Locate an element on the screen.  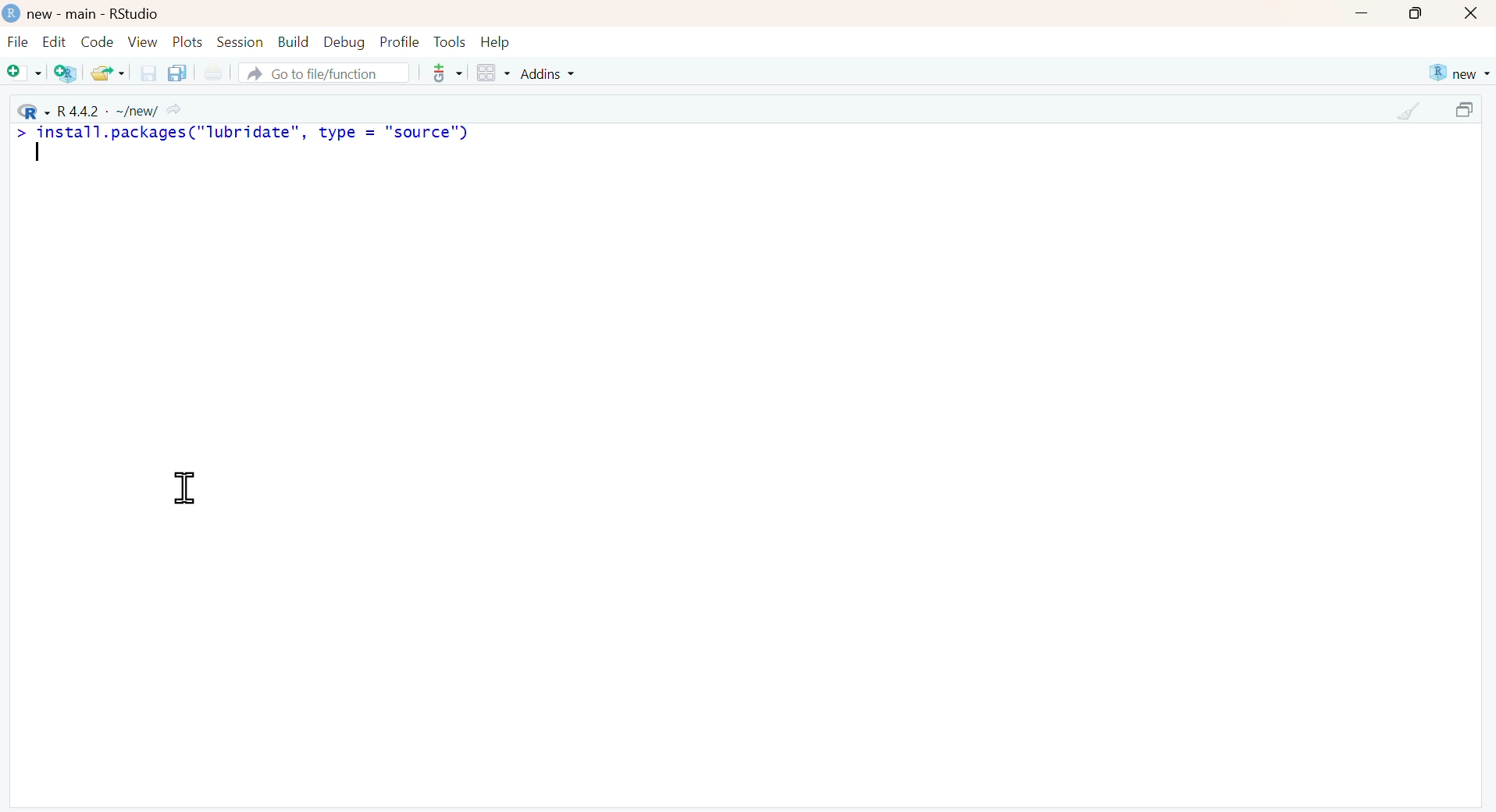
typing cursor is located at coordinates (45, 156).